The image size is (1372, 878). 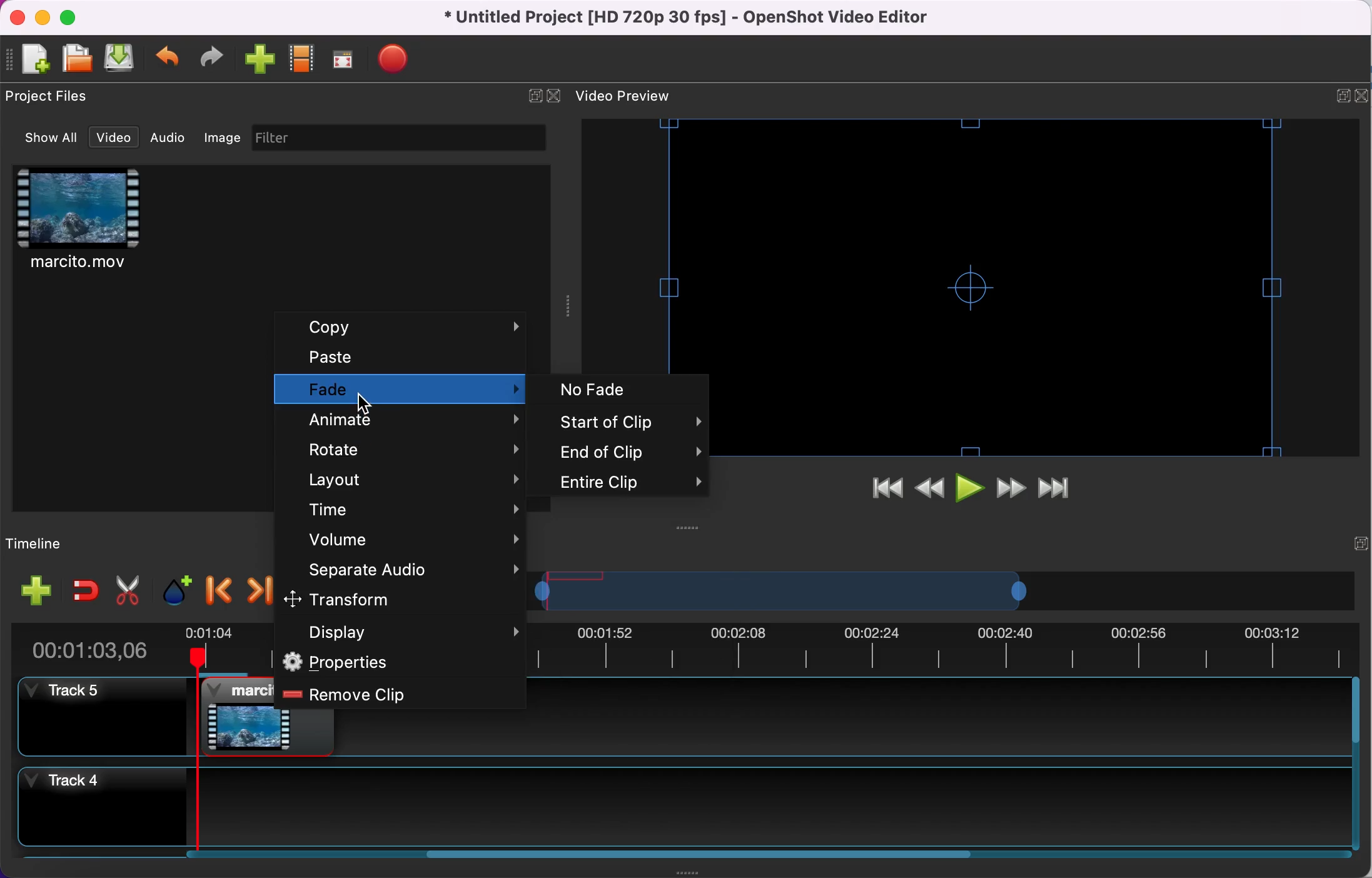 What do you see at coordinates (44, 137) in the screenshot?
I see `show all` at bounding box center [44, 137].